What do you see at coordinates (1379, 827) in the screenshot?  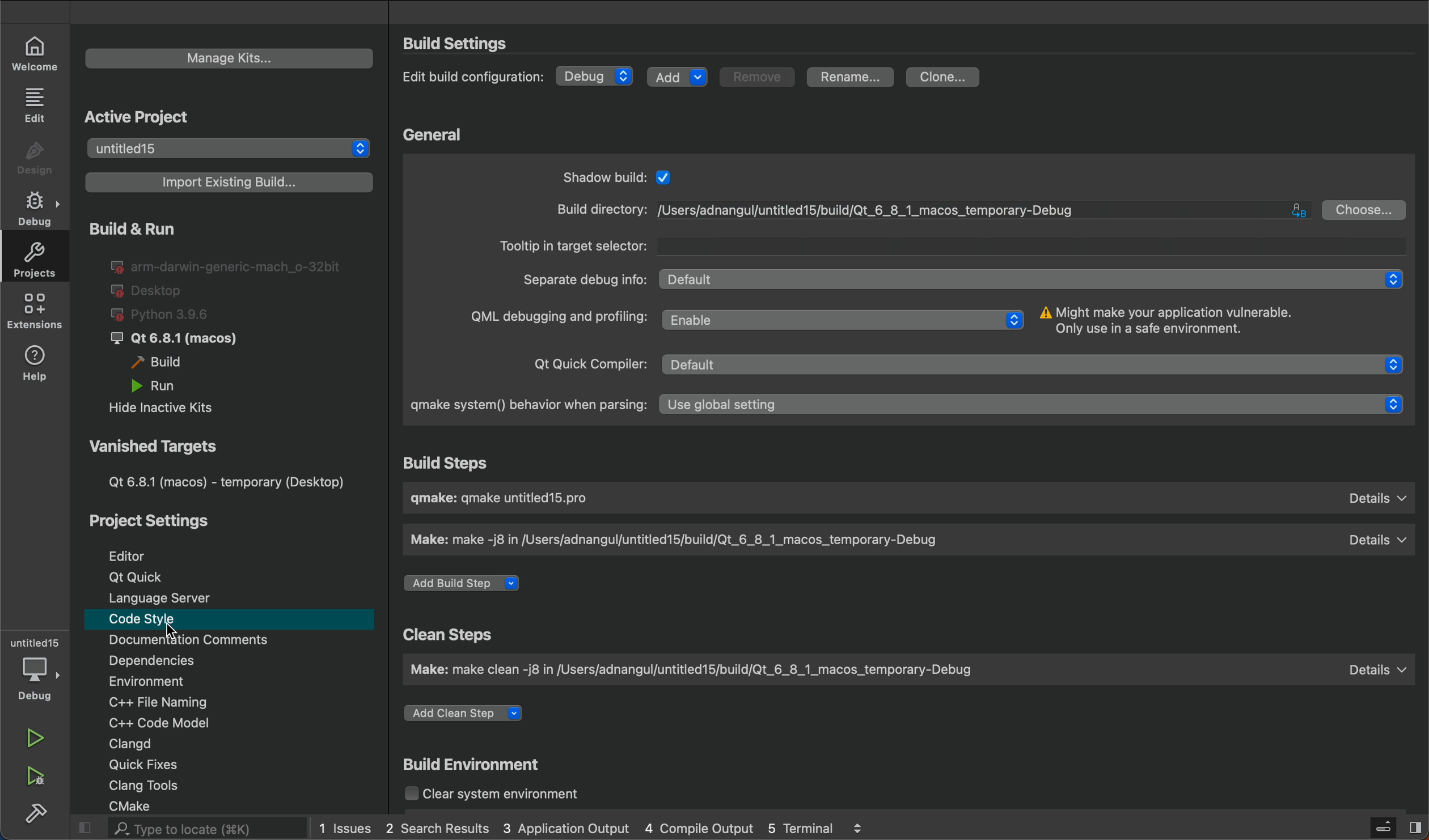 I see `close slide bar` at bounding box center [1379, 827].